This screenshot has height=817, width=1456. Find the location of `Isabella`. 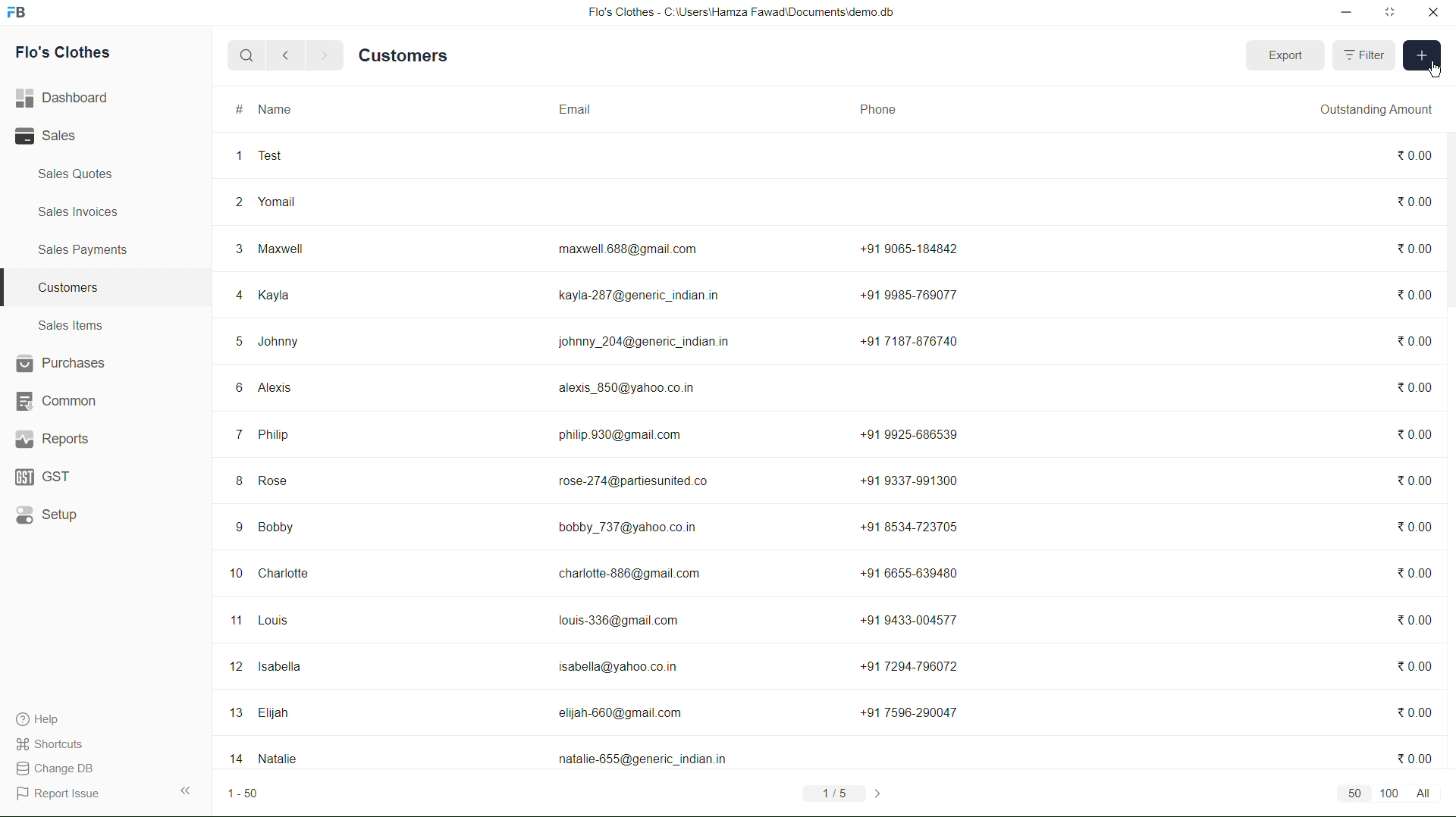

Isabella is located at coordinates (281, 667).